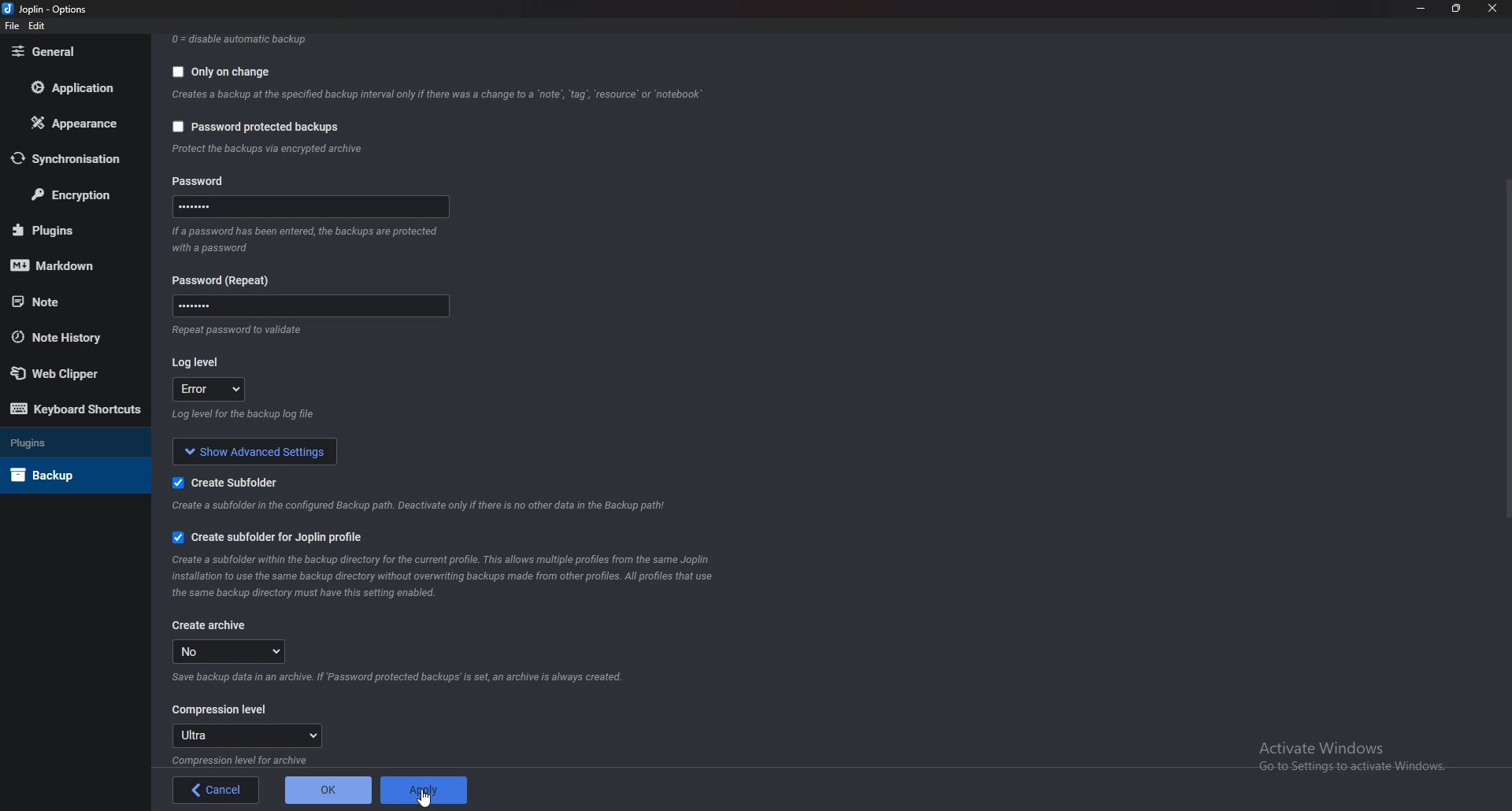 The image size is (1512, 811). What do you see at coordinates (454, 575) in the screenshot?
I see `info on subfolder for joplin profile` at bounding box center [454, 575].